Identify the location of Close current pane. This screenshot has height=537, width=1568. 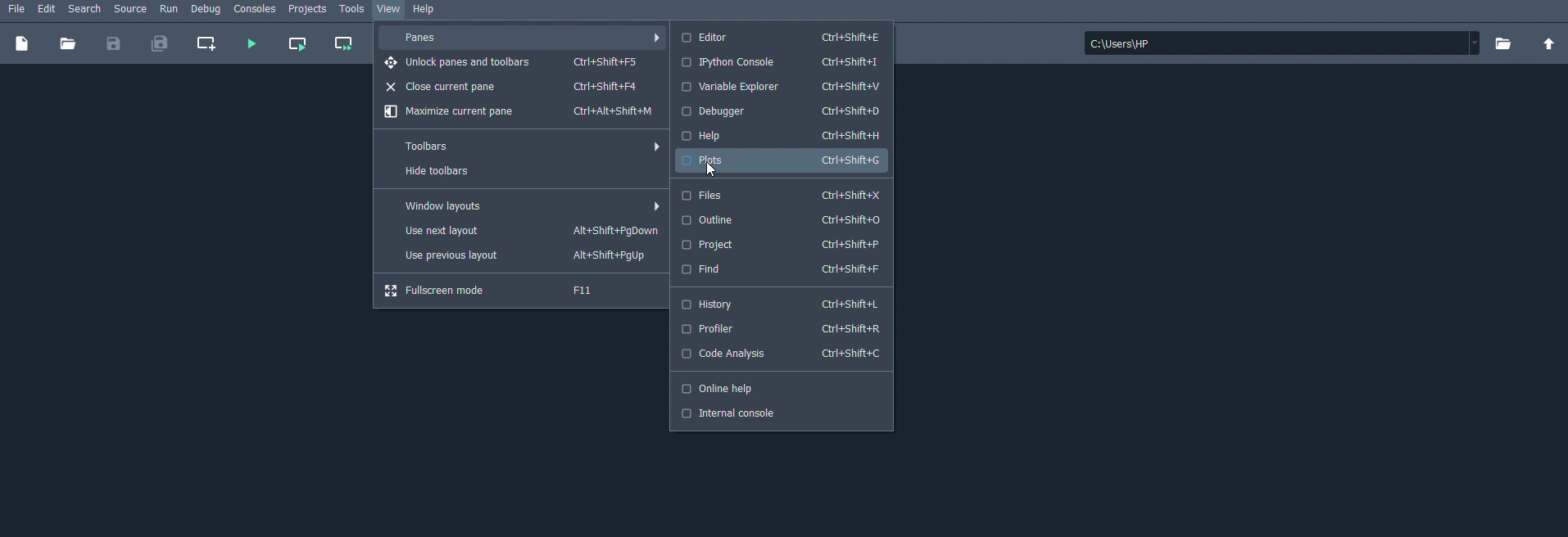
(516, 87).